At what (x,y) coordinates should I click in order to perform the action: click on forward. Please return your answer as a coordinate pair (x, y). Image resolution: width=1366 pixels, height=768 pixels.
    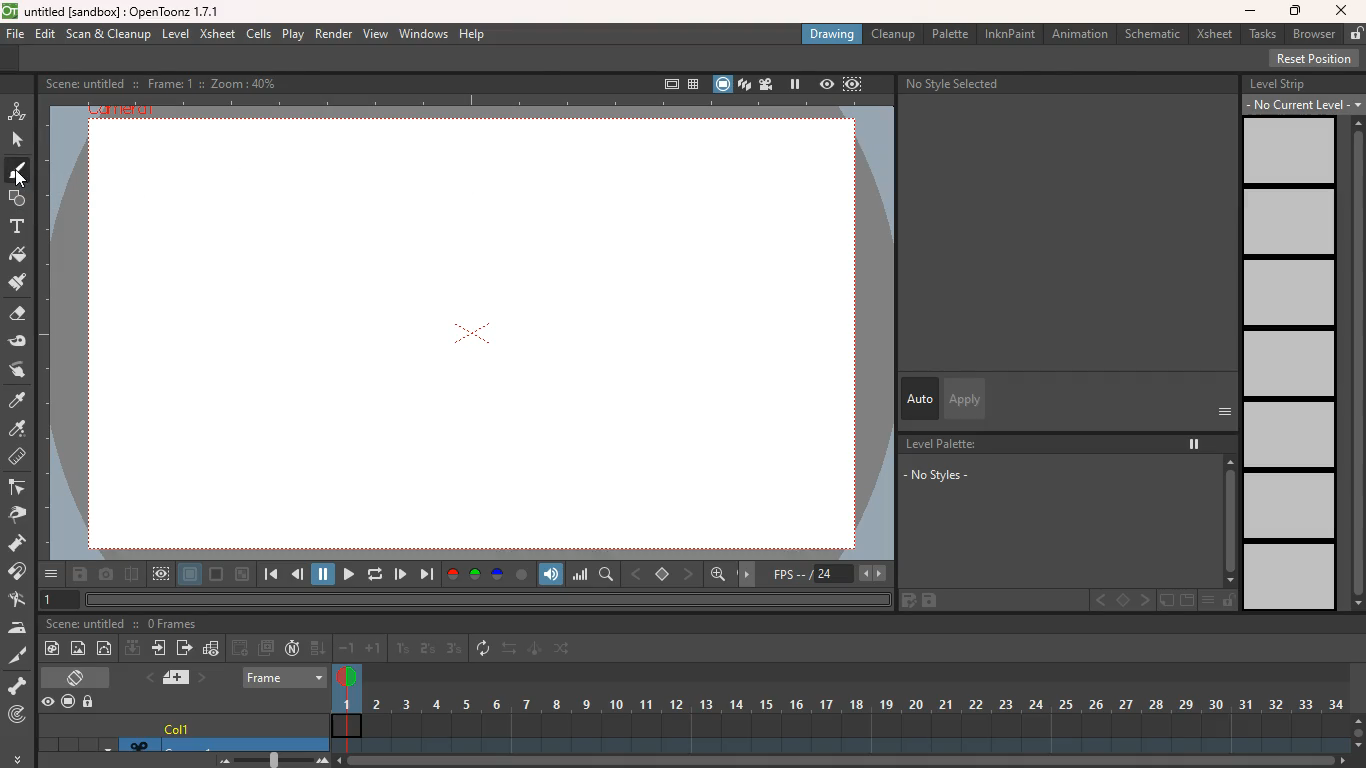
    Looking at the image, I should click on (184, 650).